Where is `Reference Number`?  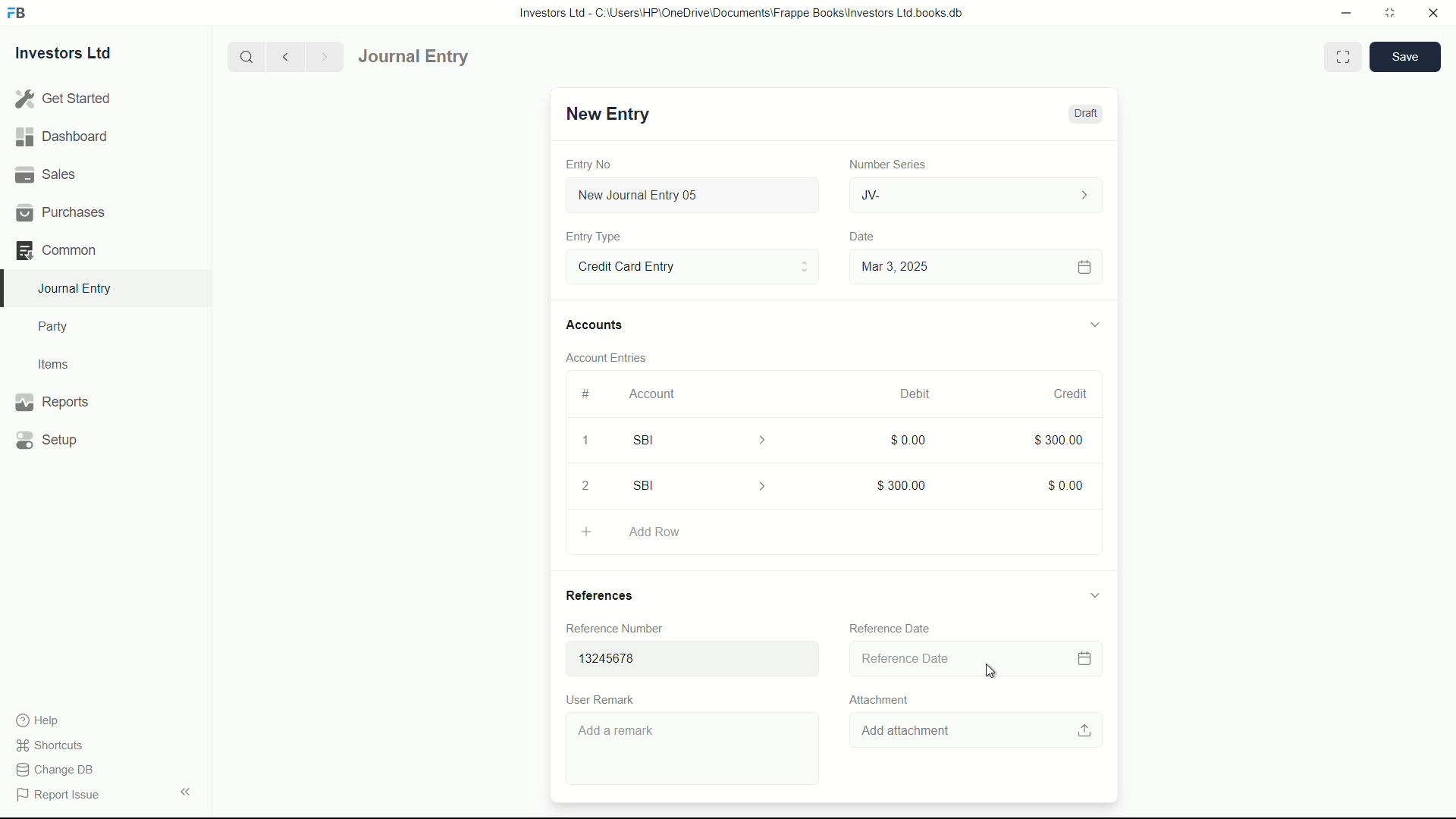
Reference Number is located at coordinates (625, 628).